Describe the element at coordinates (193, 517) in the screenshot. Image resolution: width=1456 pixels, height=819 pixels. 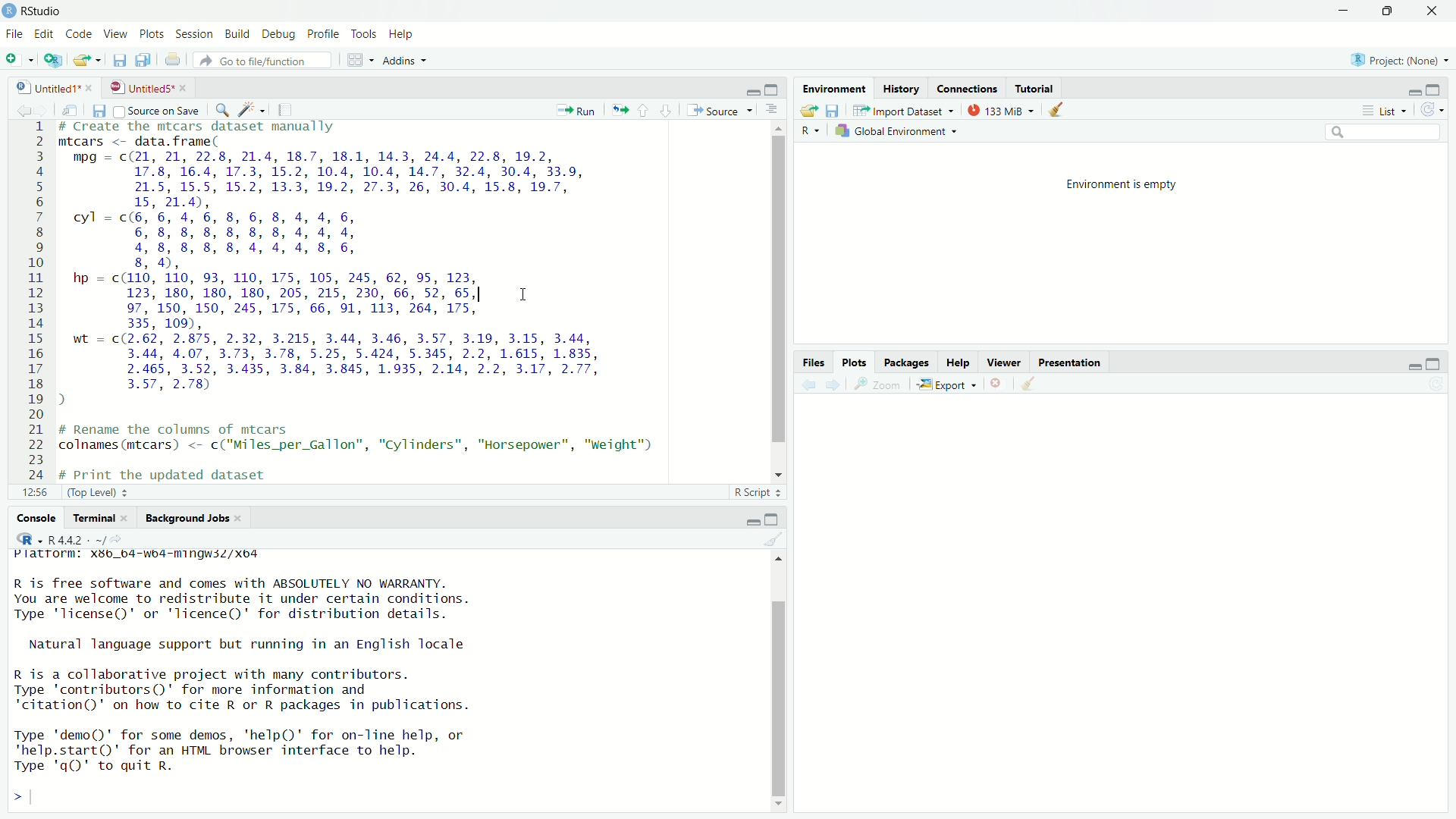
I see `Background Jobs` at that location.